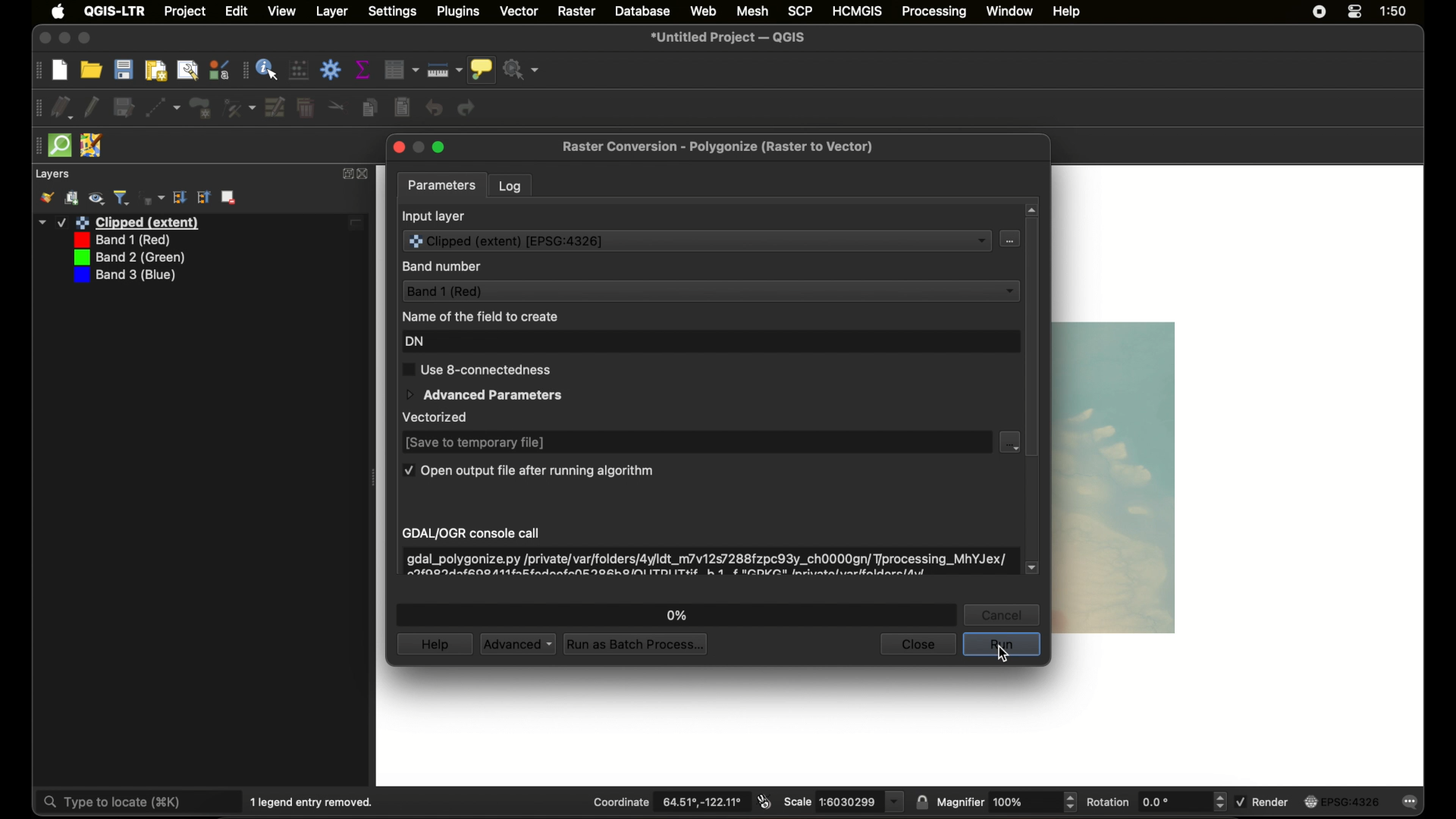 Image resolution: width=1456 pixels, height=819 pixels. Describe the element at coordinates (437, 417) in the screenshot. I see `vectorize` at that location.